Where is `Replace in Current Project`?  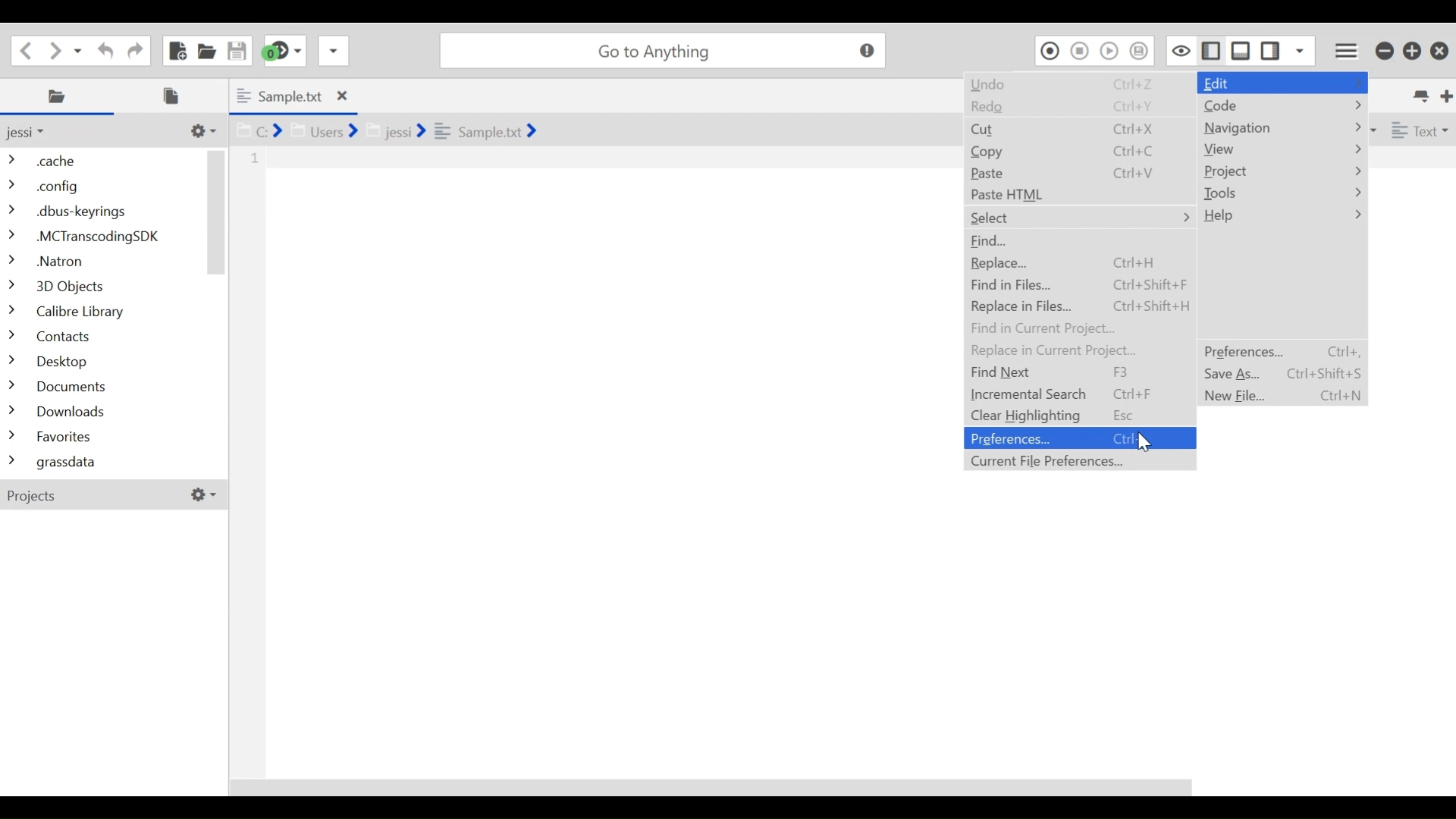 Replace in Current Project is located at coordinates (1077, 350).